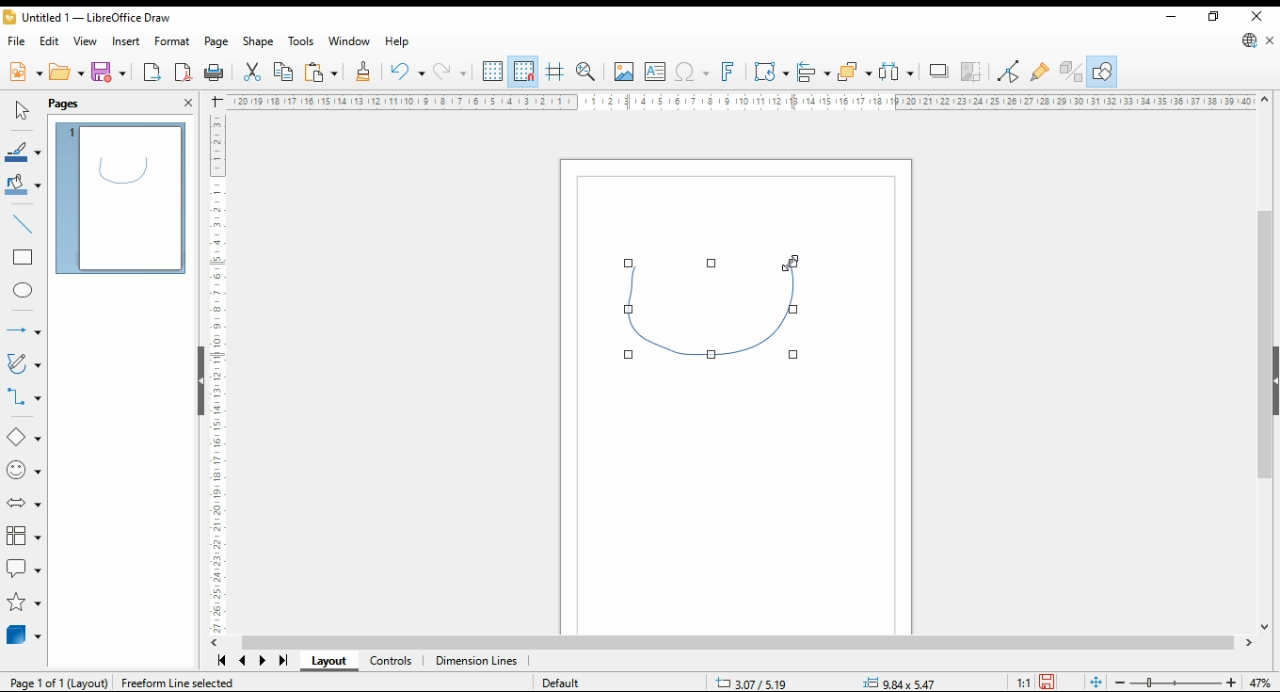 This screenshot has width=1280, height=692. What do you see at coordinates (449, 73) in the screenshot?
I see `redo` at bounding box center [449, 73].